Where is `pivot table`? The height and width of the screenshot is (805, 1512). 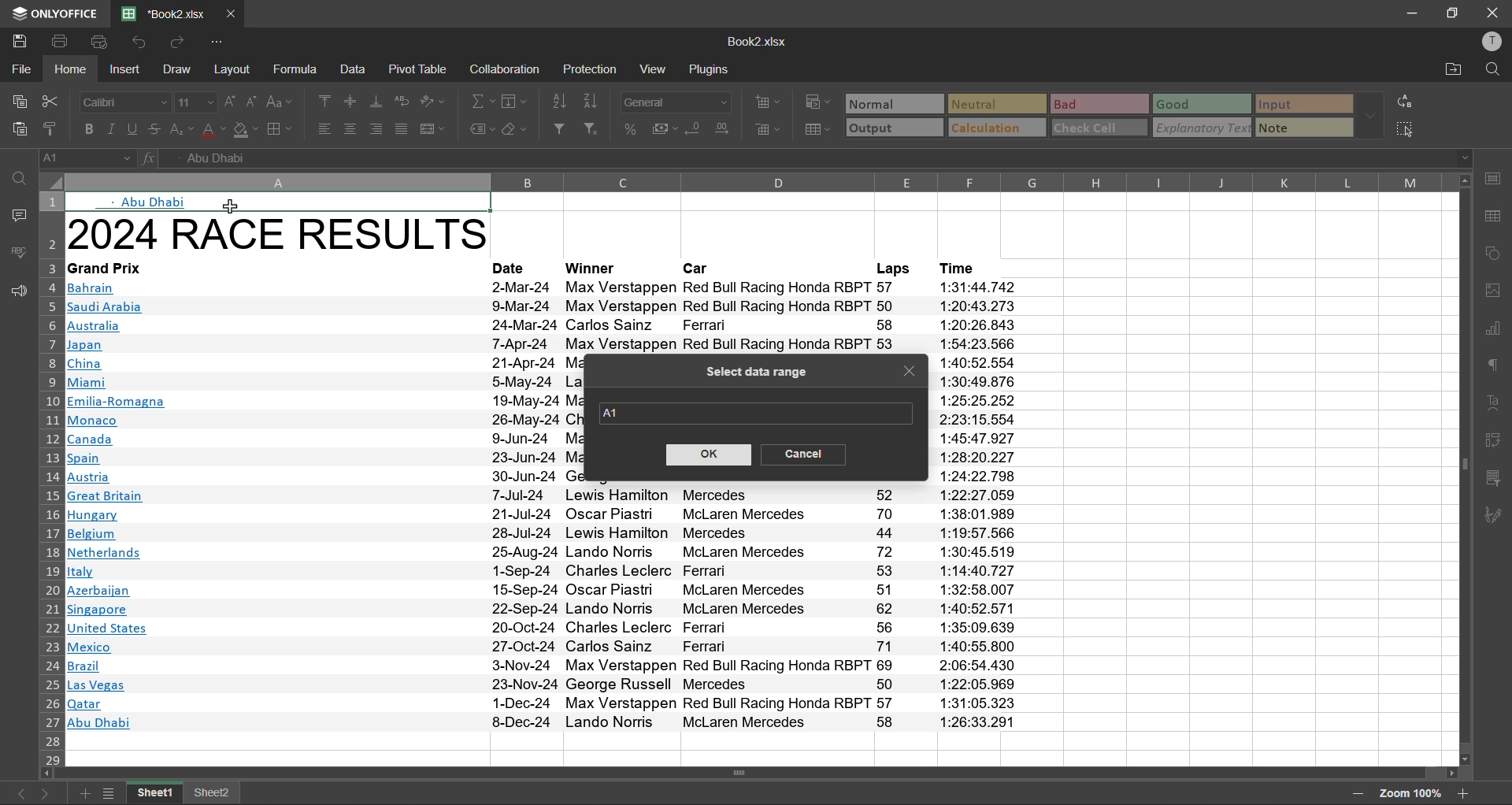 pivot table is located at coordinates (418, 70).